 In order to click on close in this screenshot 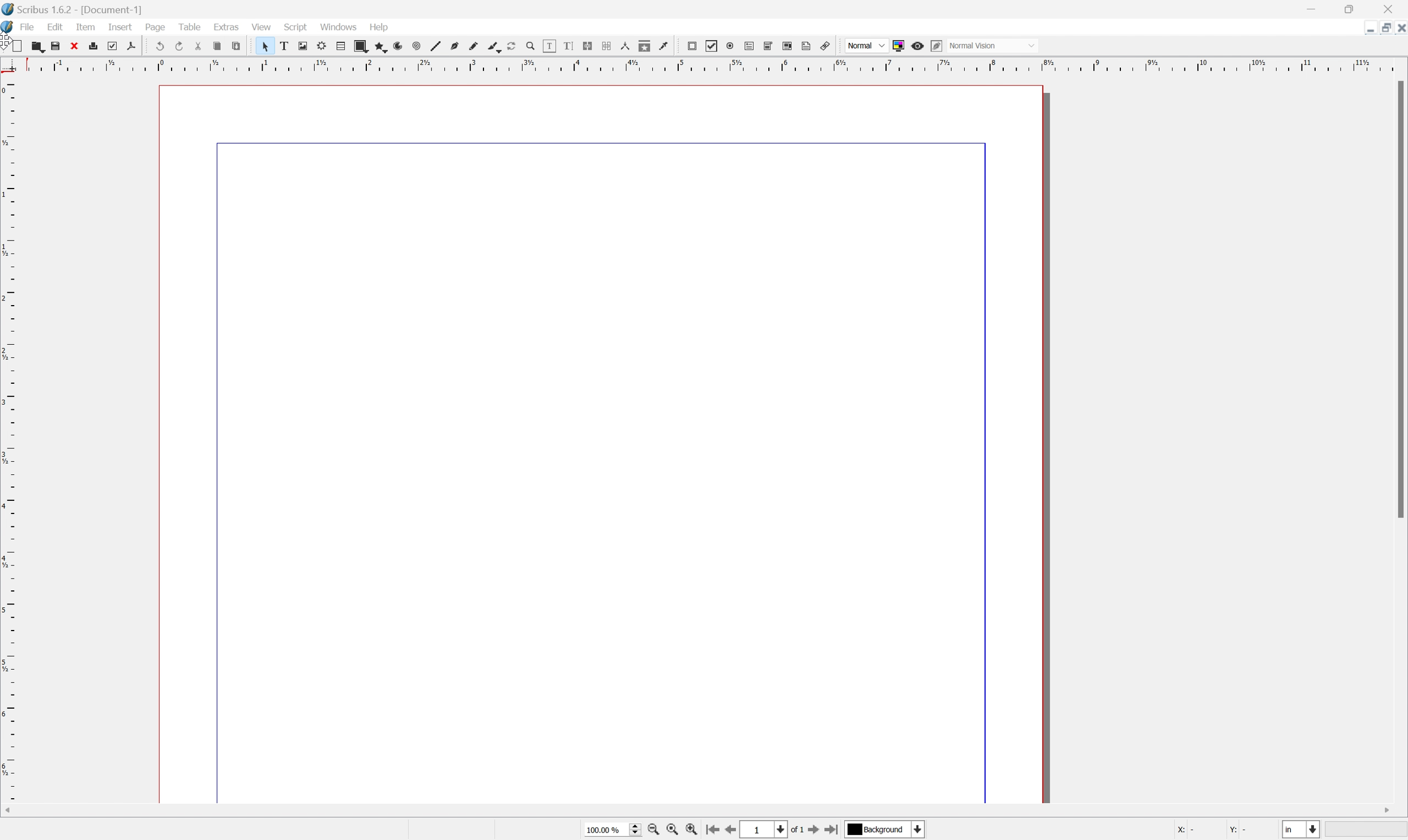, I will do `click(1392, 8)`.